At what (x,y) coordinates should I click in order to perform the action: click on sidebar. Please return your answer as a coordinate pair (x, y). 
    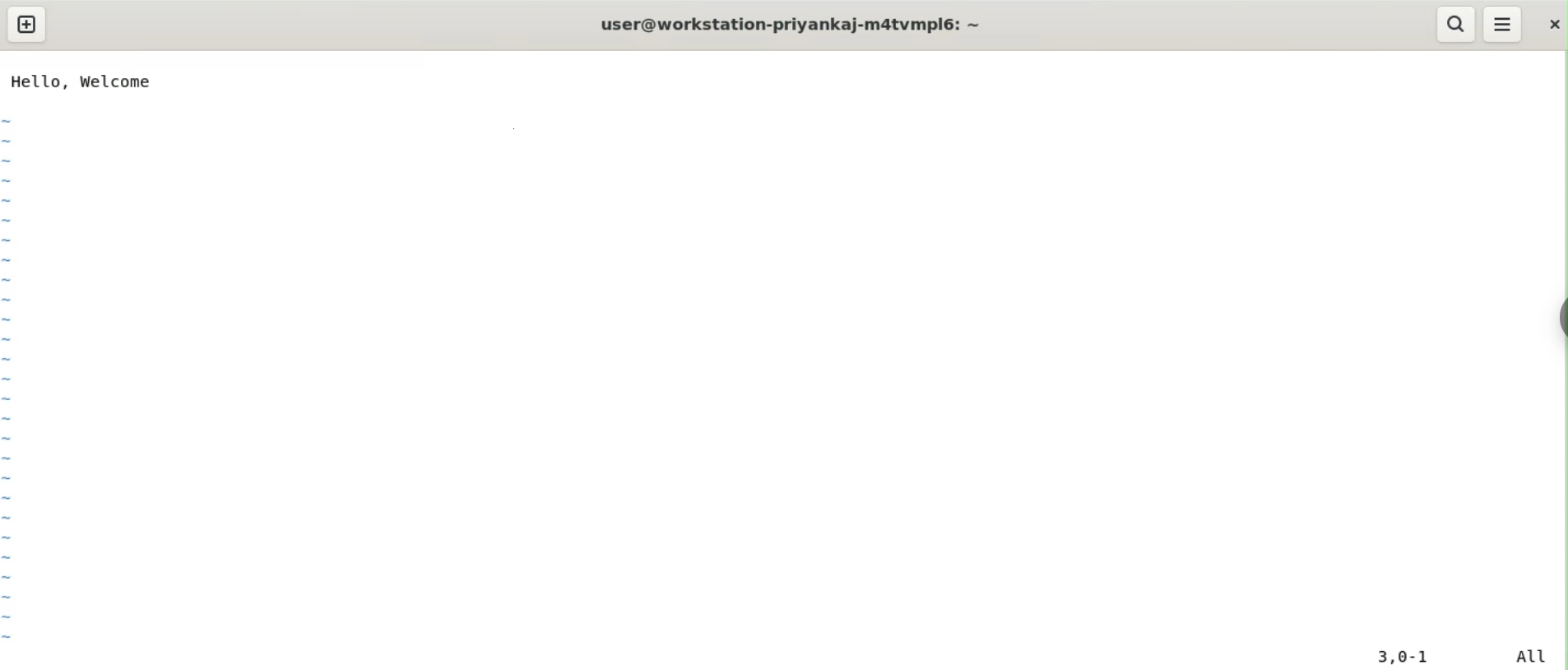
    Looking at the image, I should click on (1560, 316).